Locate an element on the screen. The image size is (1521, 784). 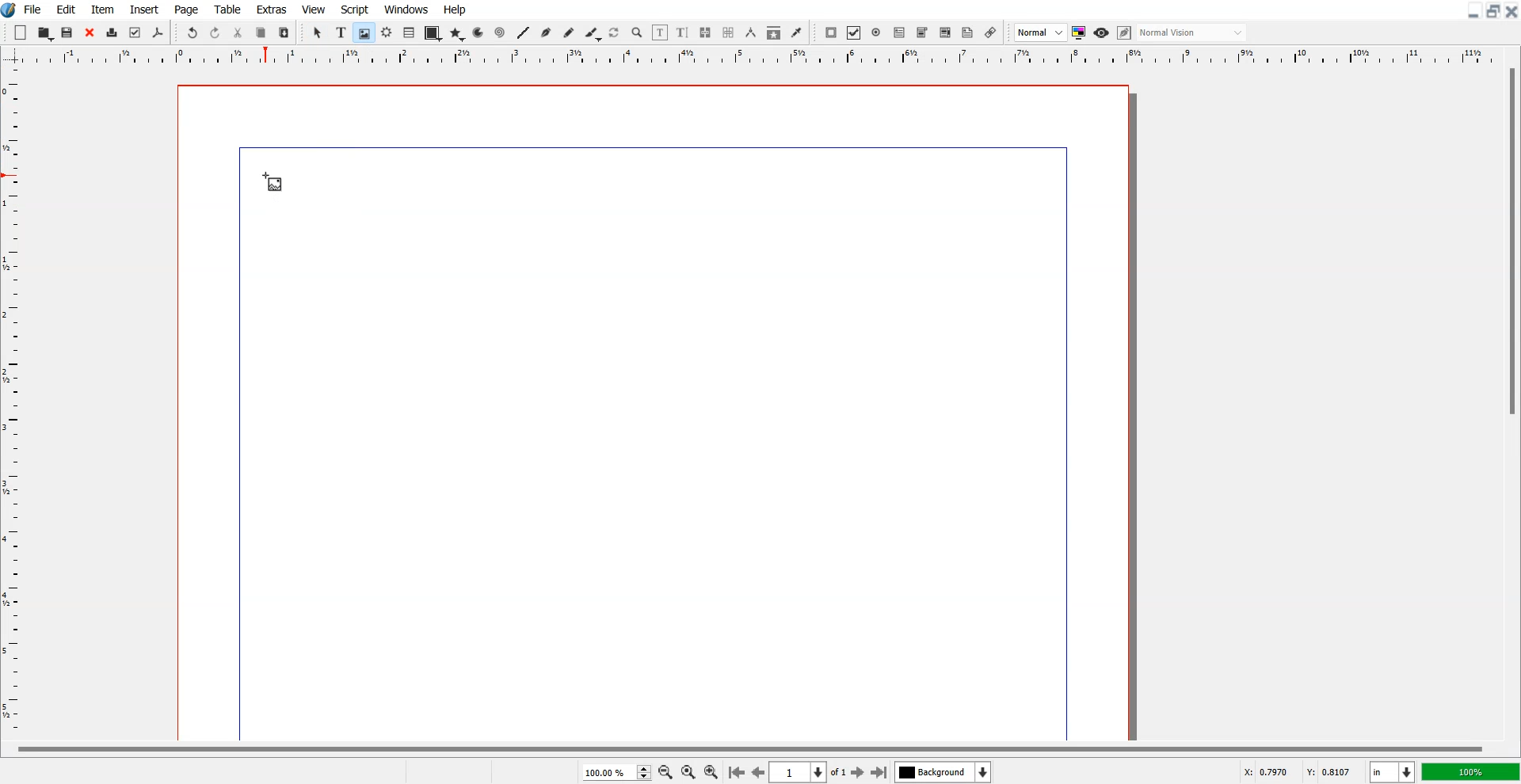
Text Annotation is located at coordinates (968, 33).